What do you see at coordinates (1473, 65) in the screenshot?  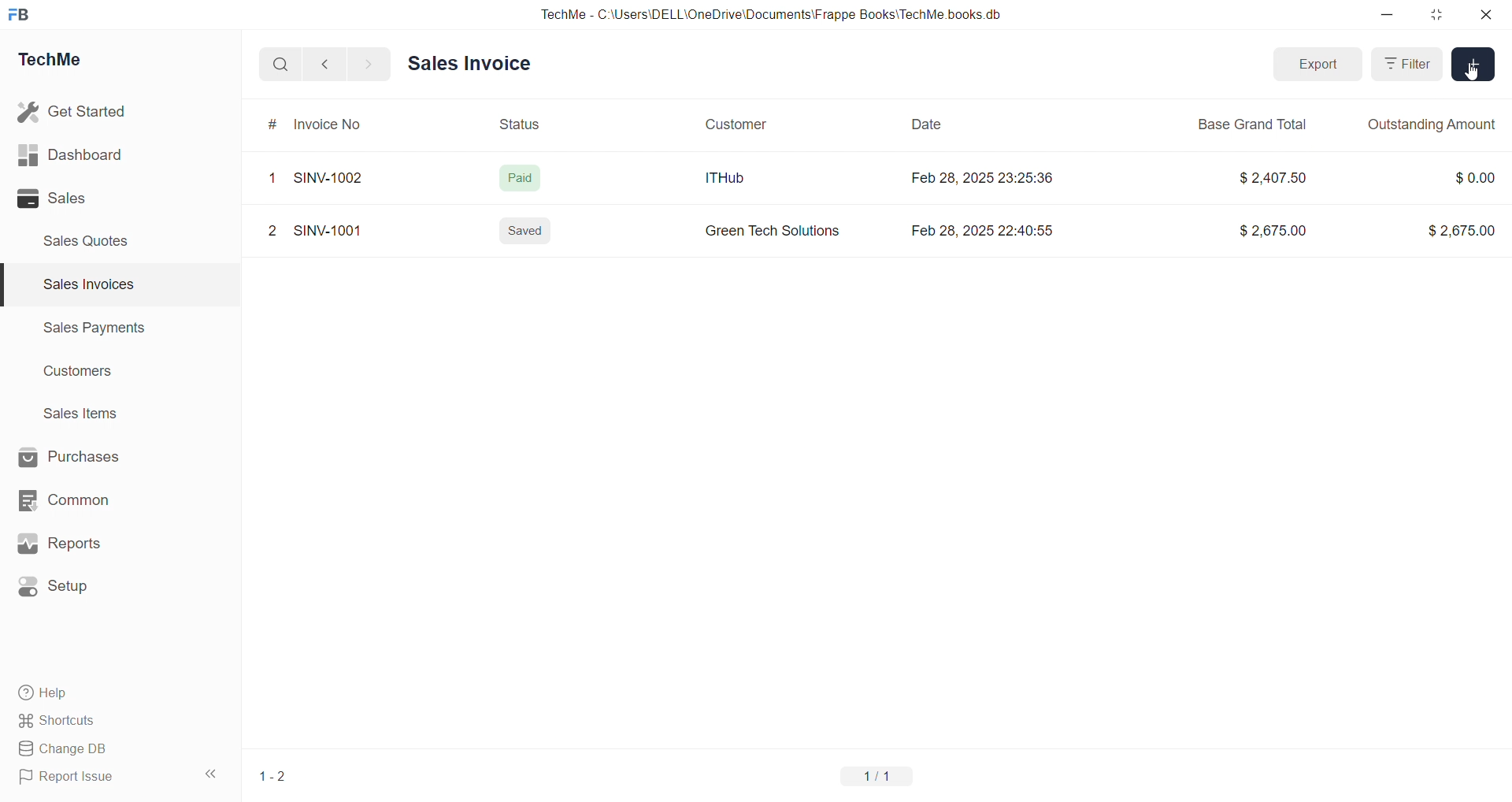 I see `New Entry` at bounding box center [1473, 65].